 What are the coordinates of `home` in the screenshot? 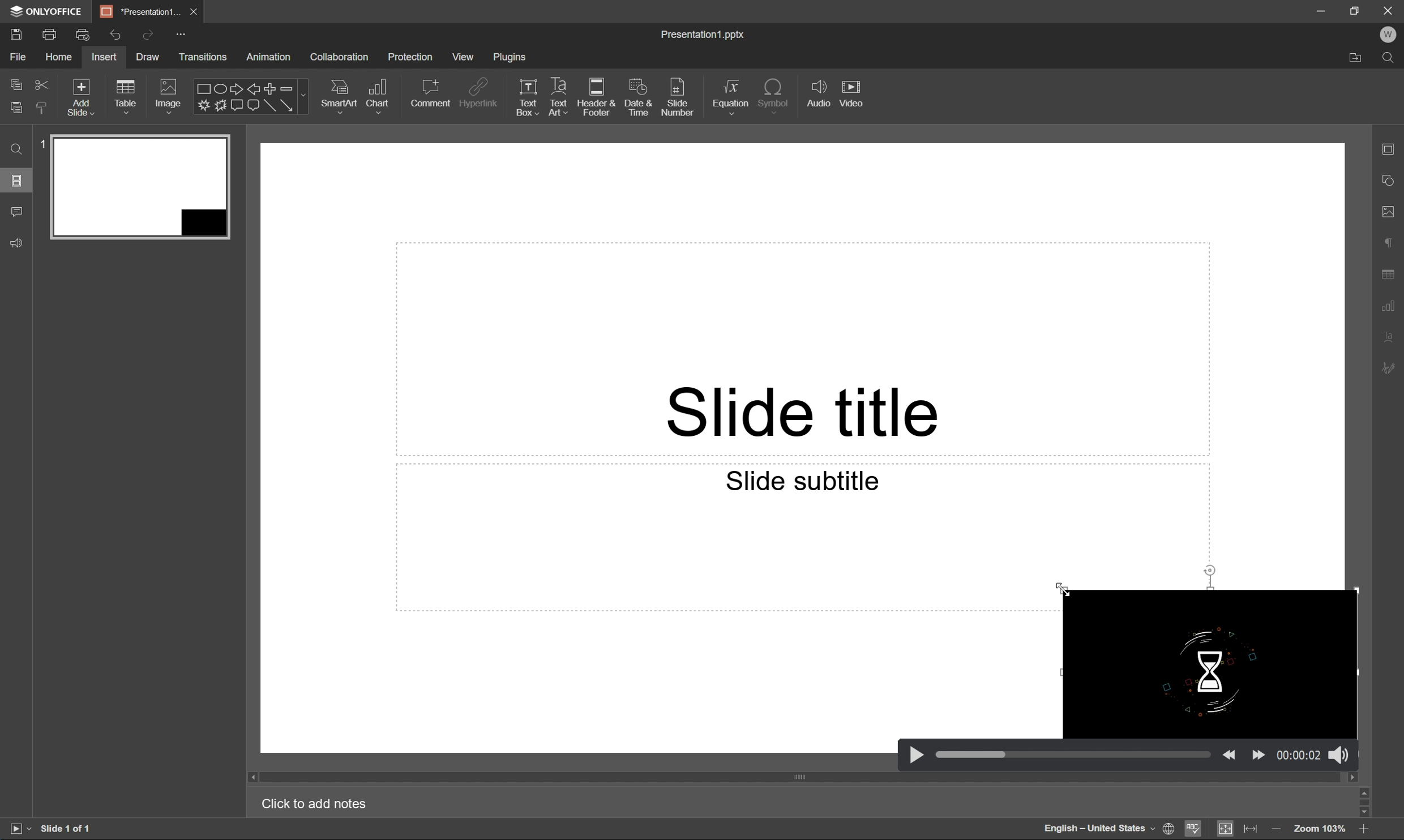 It's located at (60, 56).